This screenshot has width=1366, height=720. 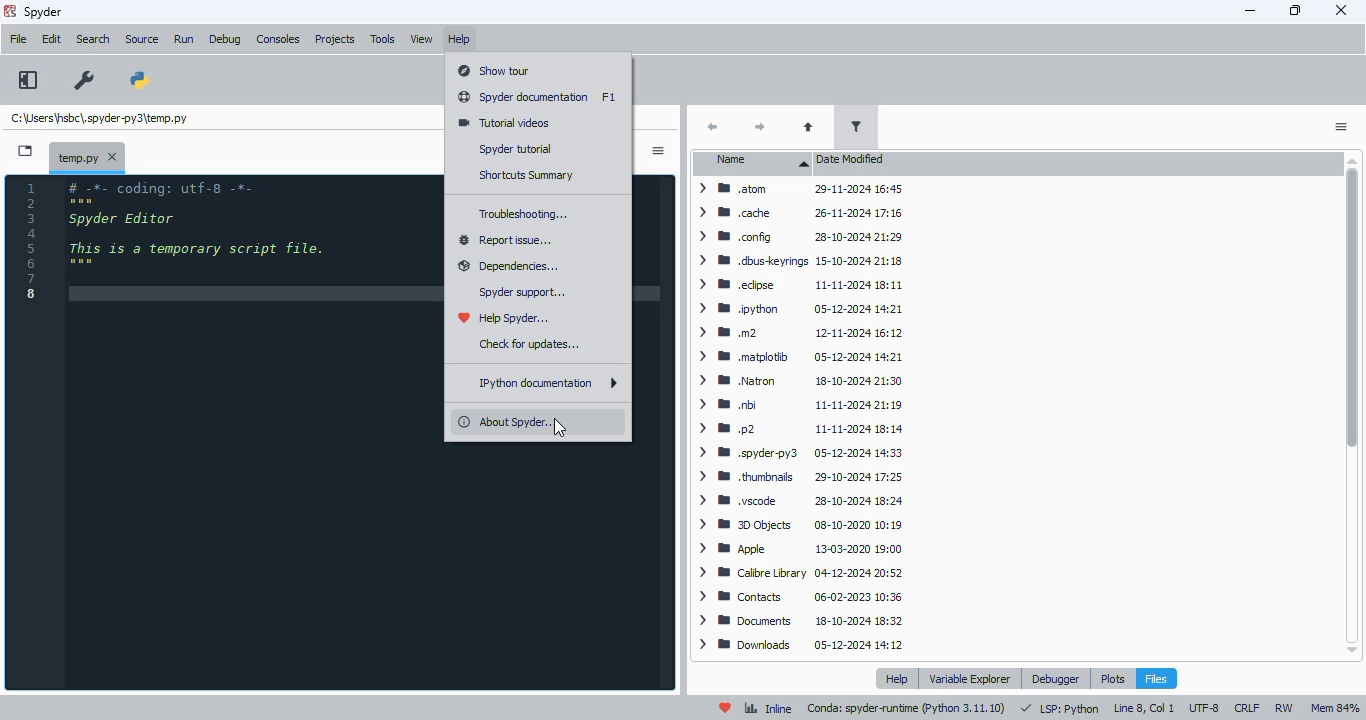 I want to click on files, so click(x=1155, y=677).